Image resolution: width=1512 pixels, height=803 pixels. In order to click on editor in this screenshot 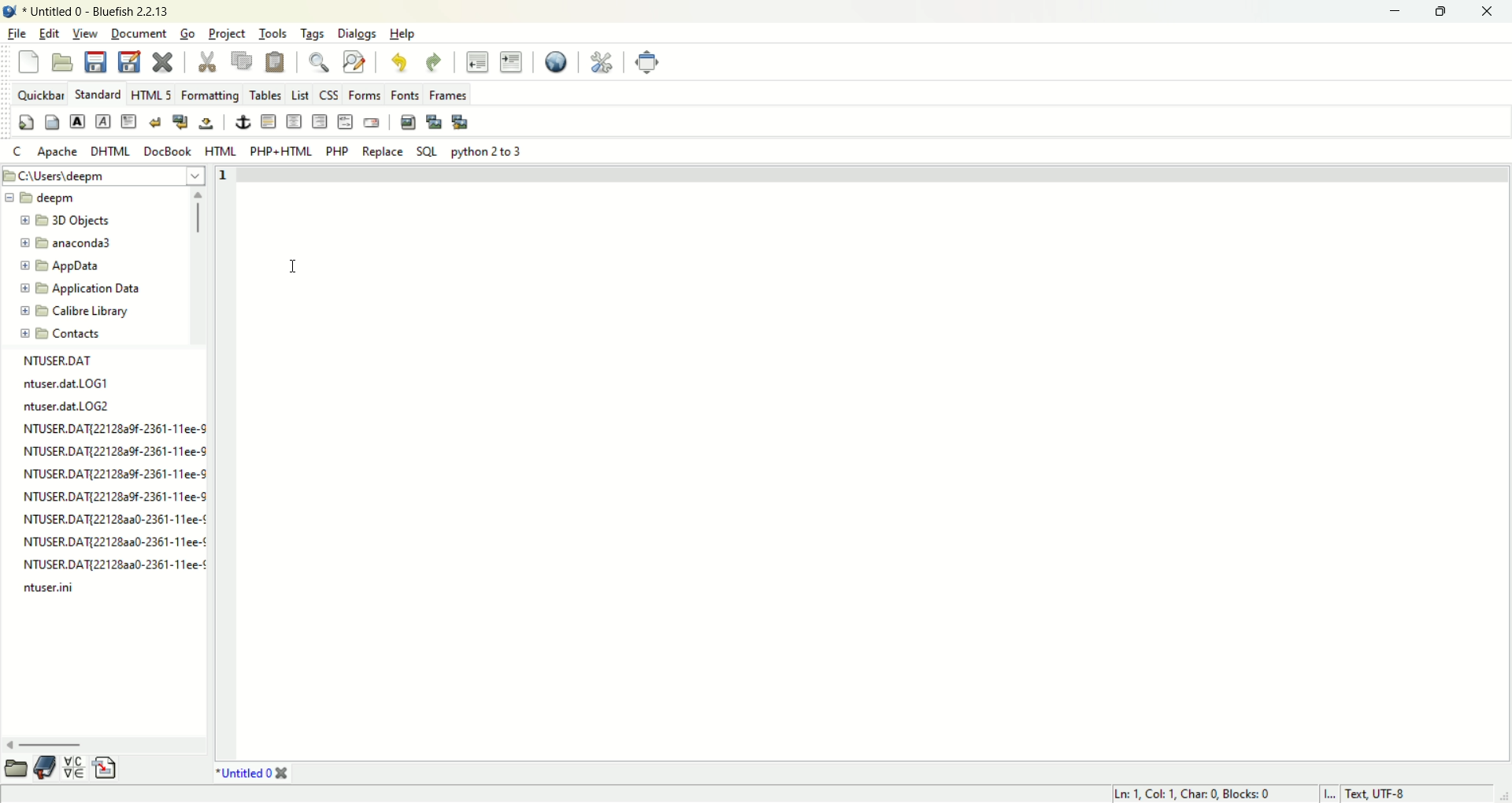, I will do `click(873, 461)`.